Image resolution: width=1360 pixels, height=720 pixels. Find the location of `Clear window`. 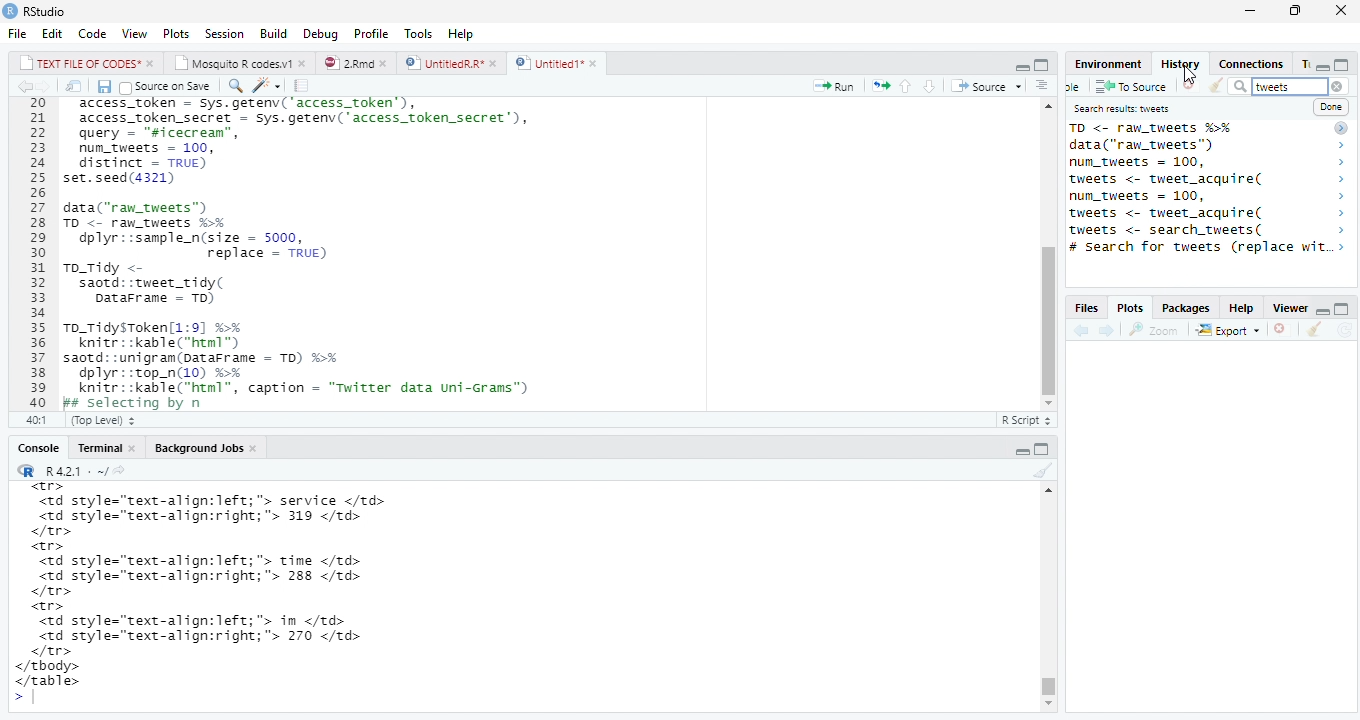

Clear window is located at coordinates (1202, 85).